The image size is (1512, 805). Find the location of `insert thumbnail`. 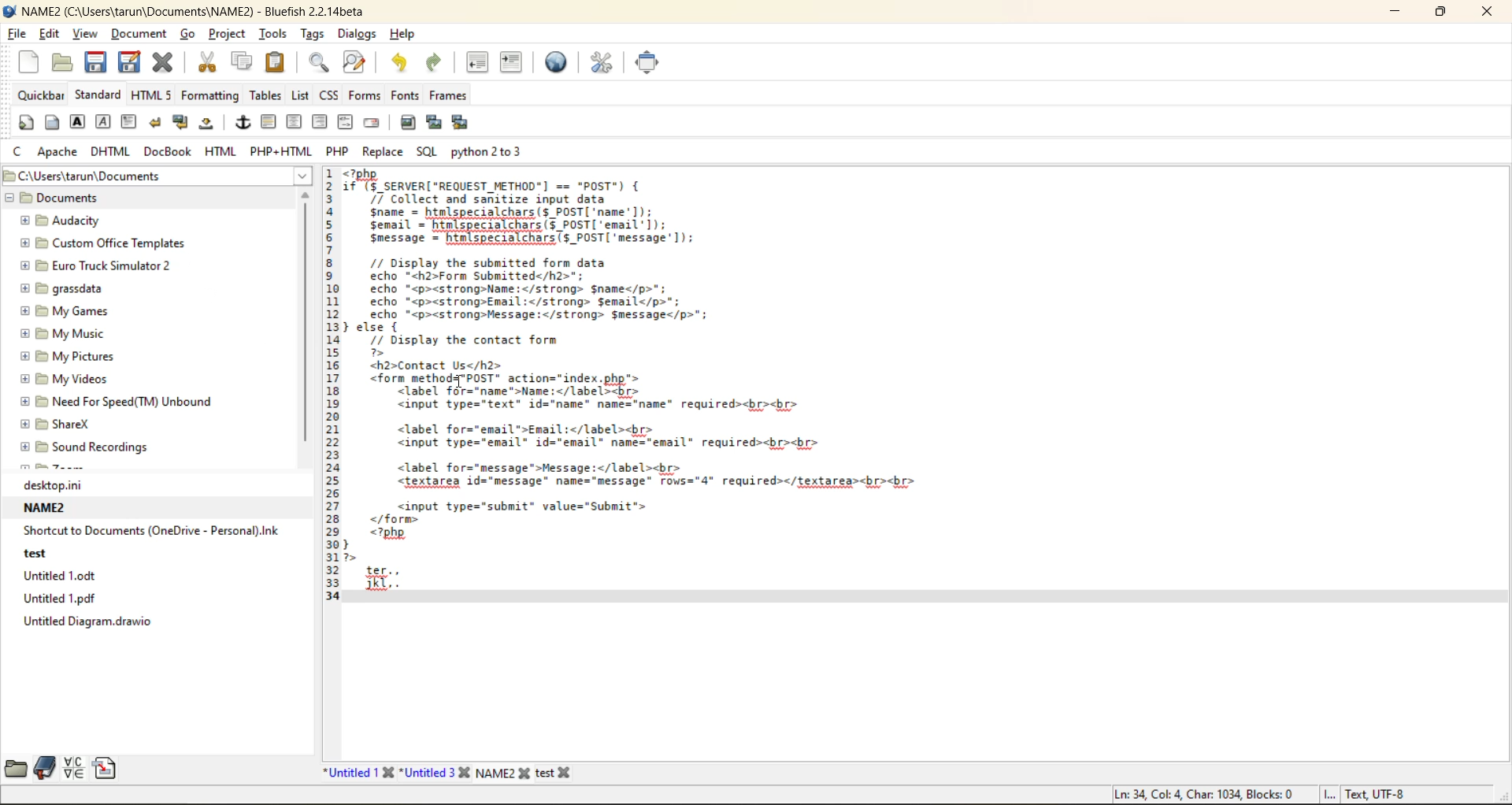

insert thumbnail is located at coordinates (463, 124).